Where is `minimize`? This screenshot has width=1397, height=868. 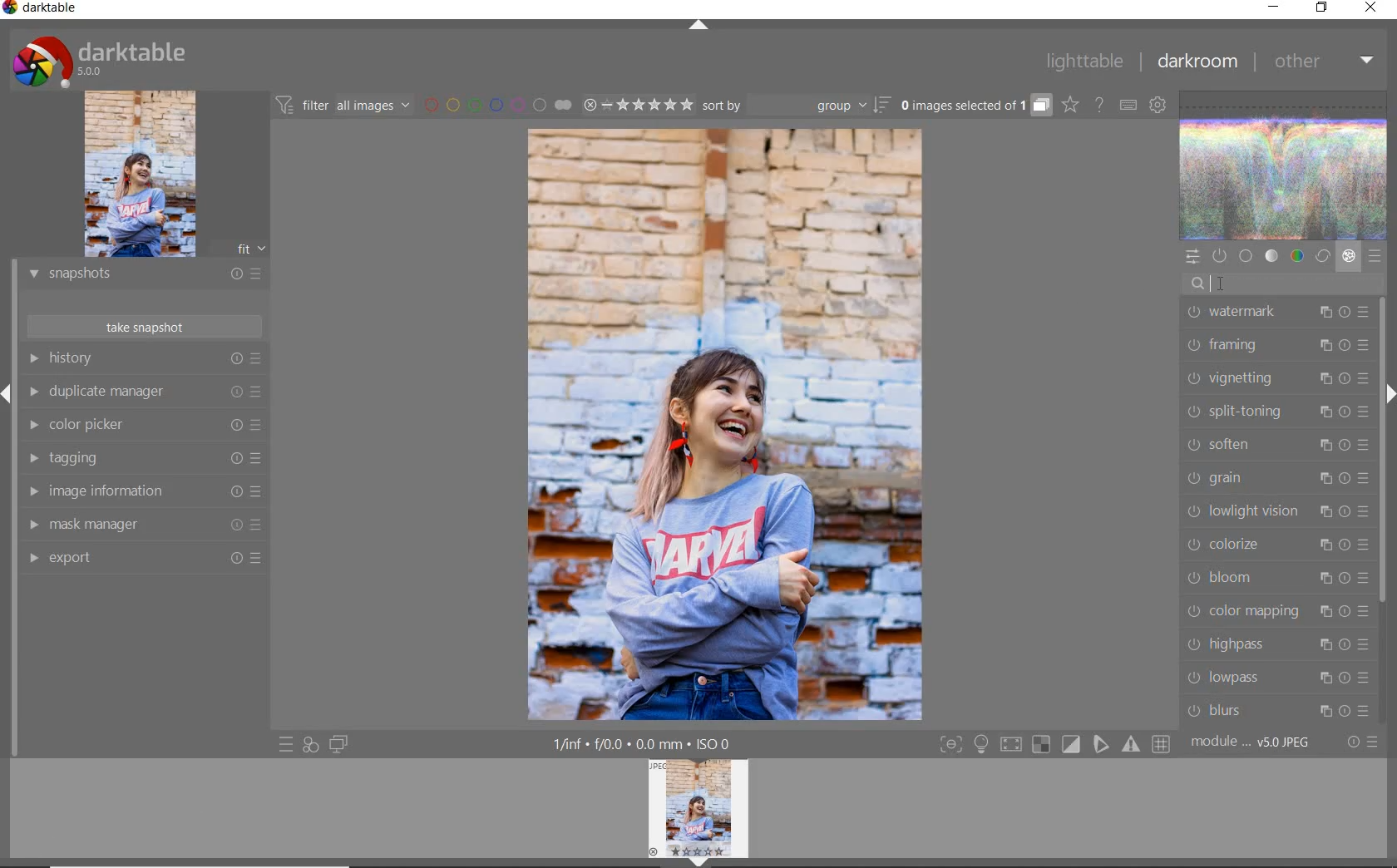 minimize is located at coordinates (1275, 8).